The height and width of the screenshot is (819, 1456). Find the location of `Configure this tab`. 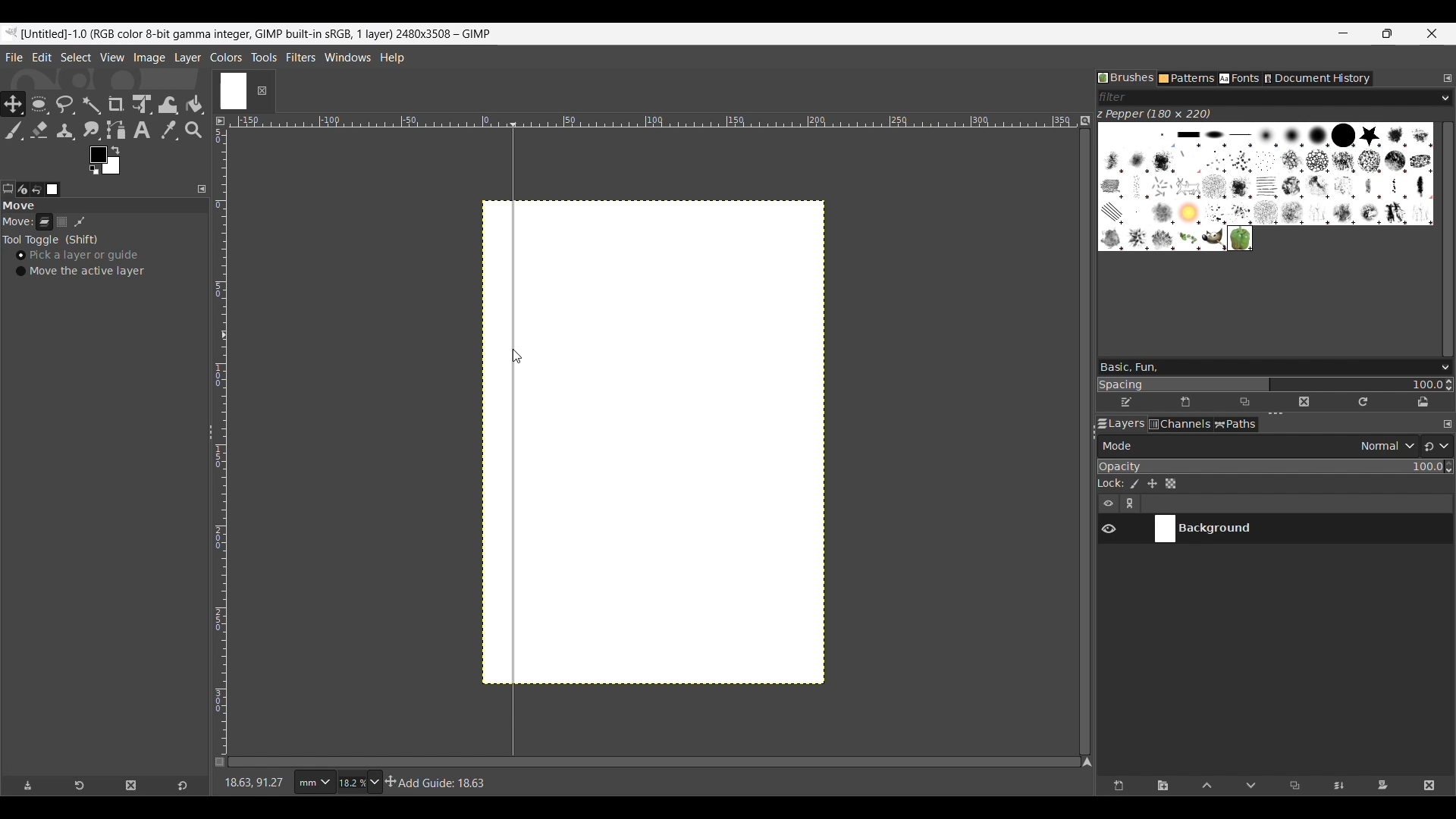

Configure this tab is located at coordinates (1447, 424).